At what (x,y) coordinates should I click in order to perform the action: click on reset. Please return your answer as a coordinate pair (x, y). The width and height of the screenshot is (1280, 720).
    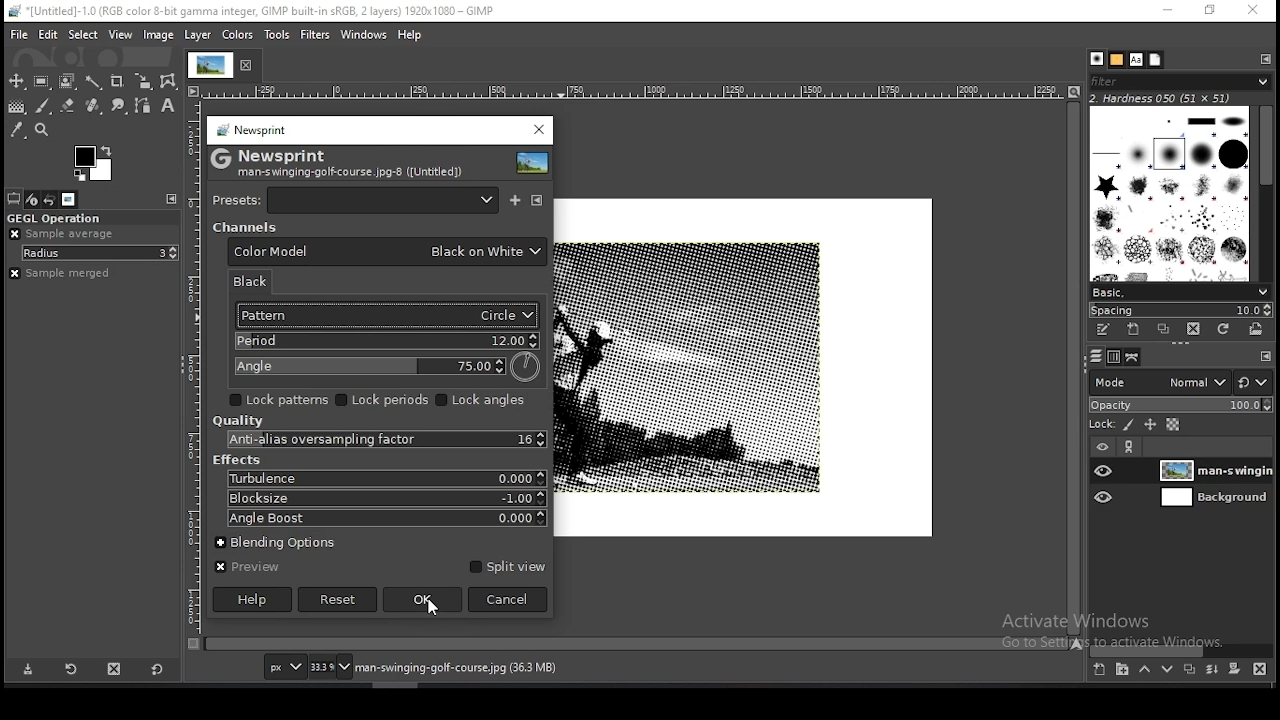
    Looking at the image, I should click on (1255, 378).